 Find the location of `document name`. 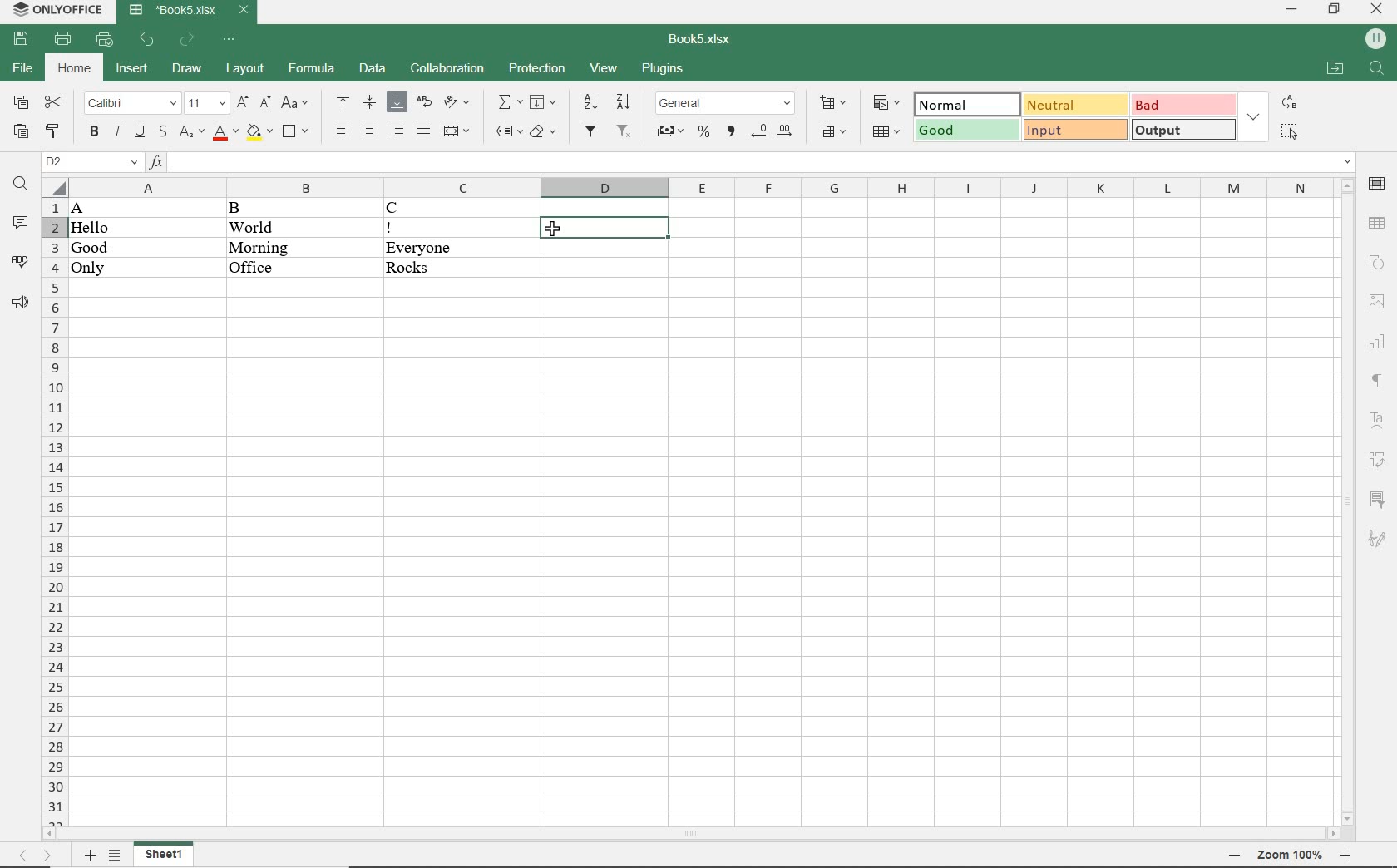

document name is located at coordinates (696, 40).